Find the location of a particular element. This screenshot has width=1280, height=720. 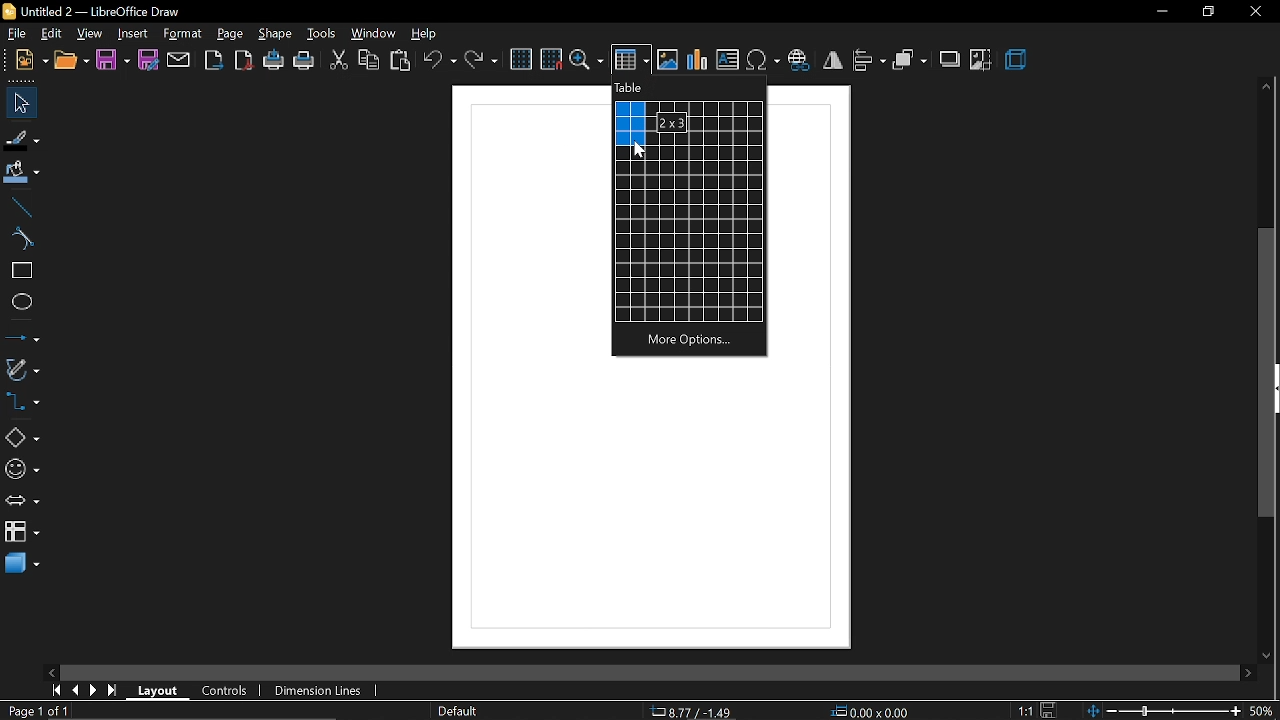

layout is located at coordinates (161, 689).